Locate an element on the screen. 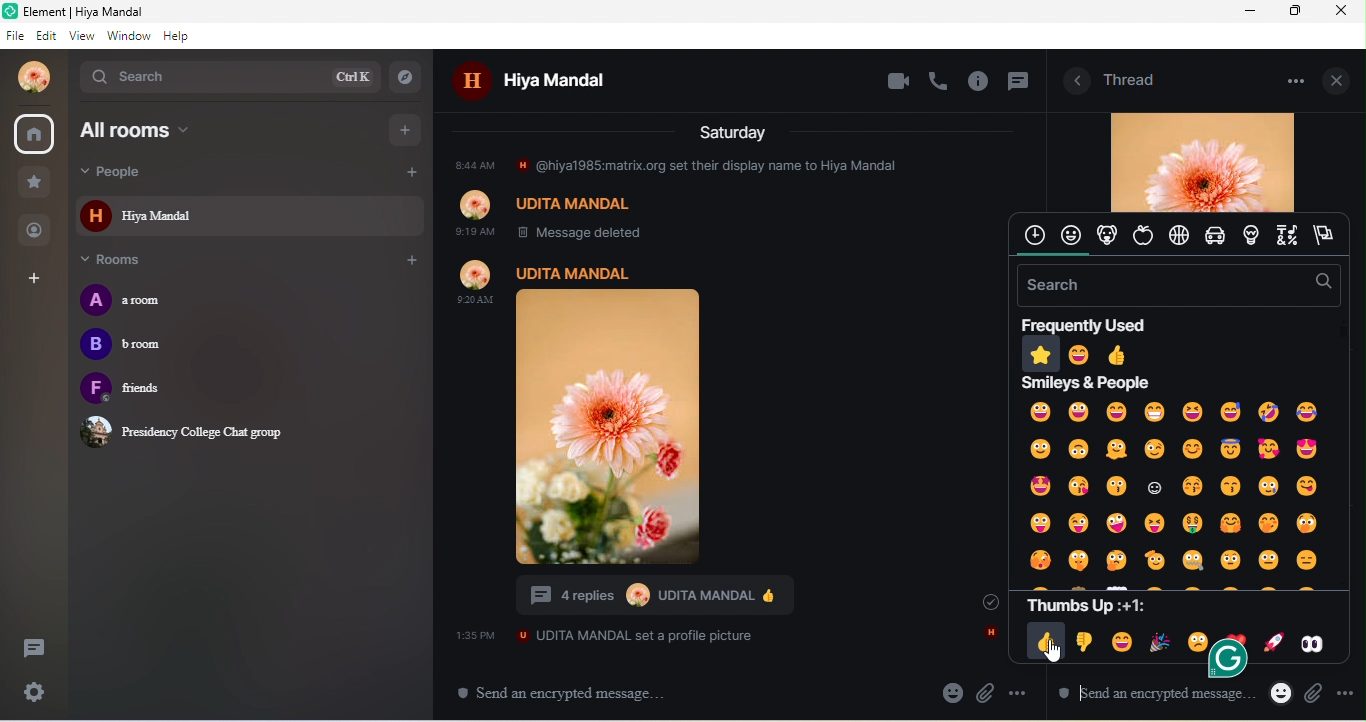 This screenshot has width=1366, height=722. window is located at coordinates (129, 36).